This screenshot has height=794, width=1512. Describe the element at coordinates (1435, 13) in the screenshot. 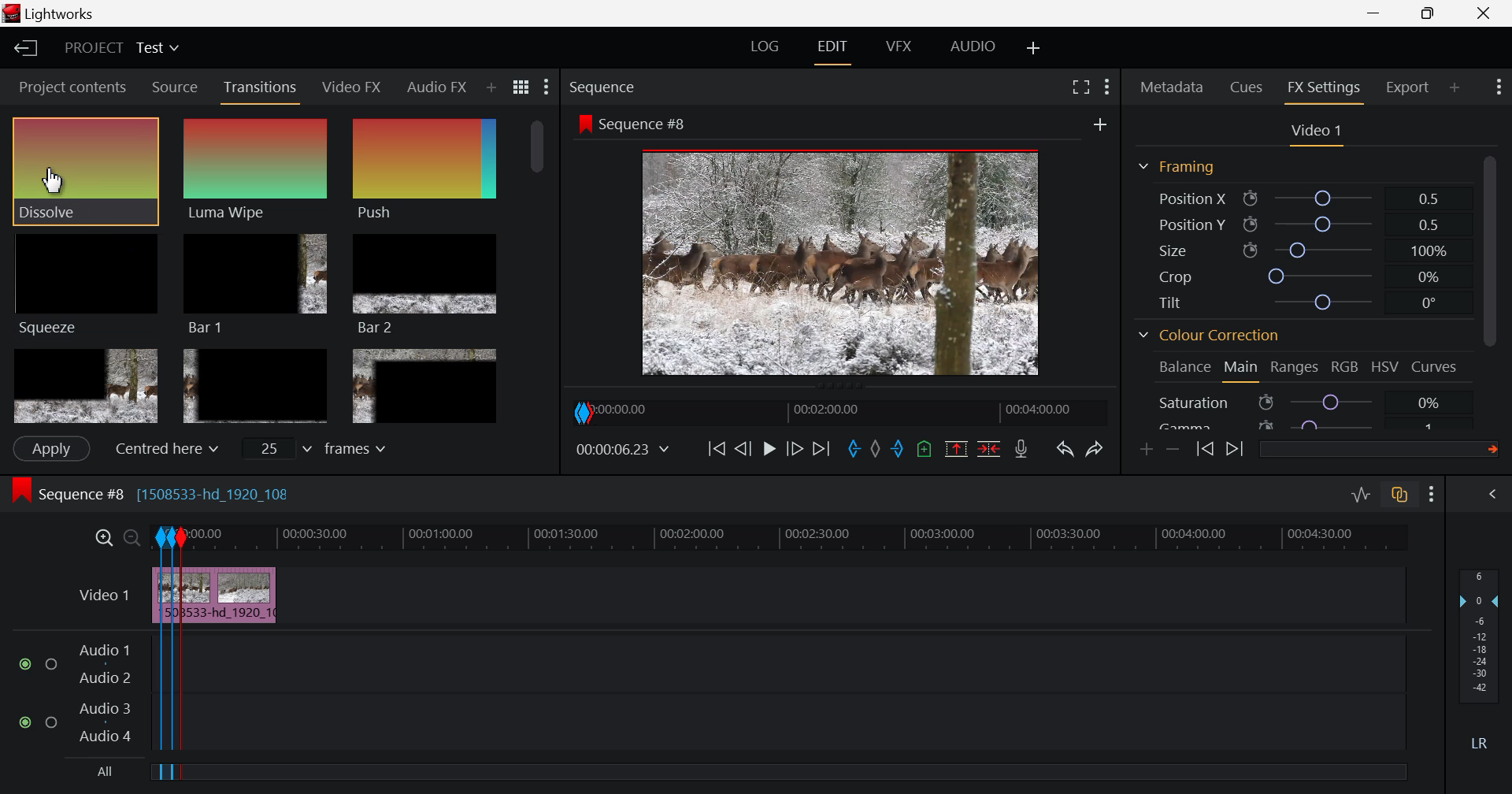

I see `Minimize` at that location.